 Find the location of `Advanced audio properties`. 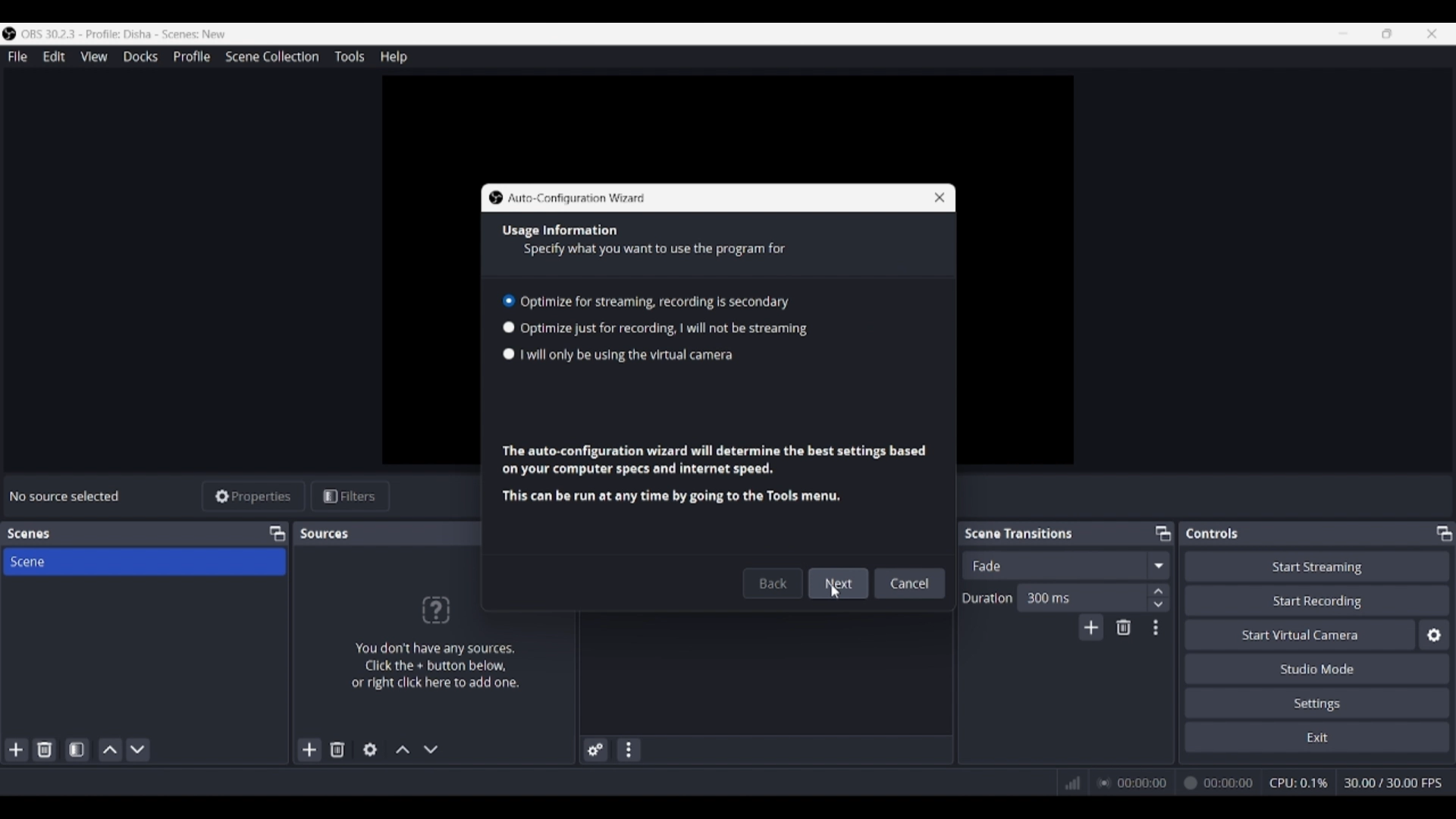

Advanced audio properties is located at coordinates (595, 750).